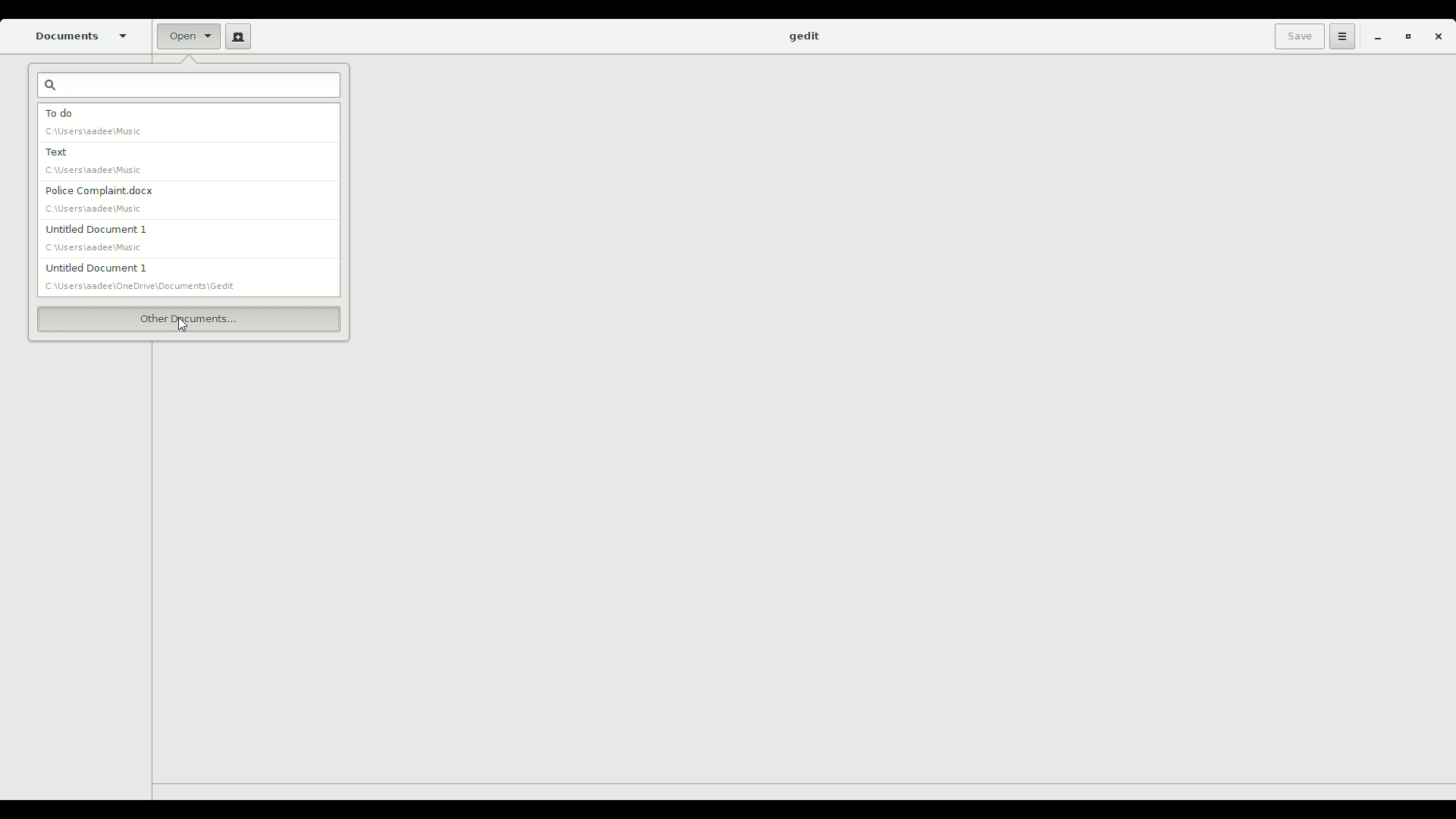  I want to click on gedit, so click(803, 37).